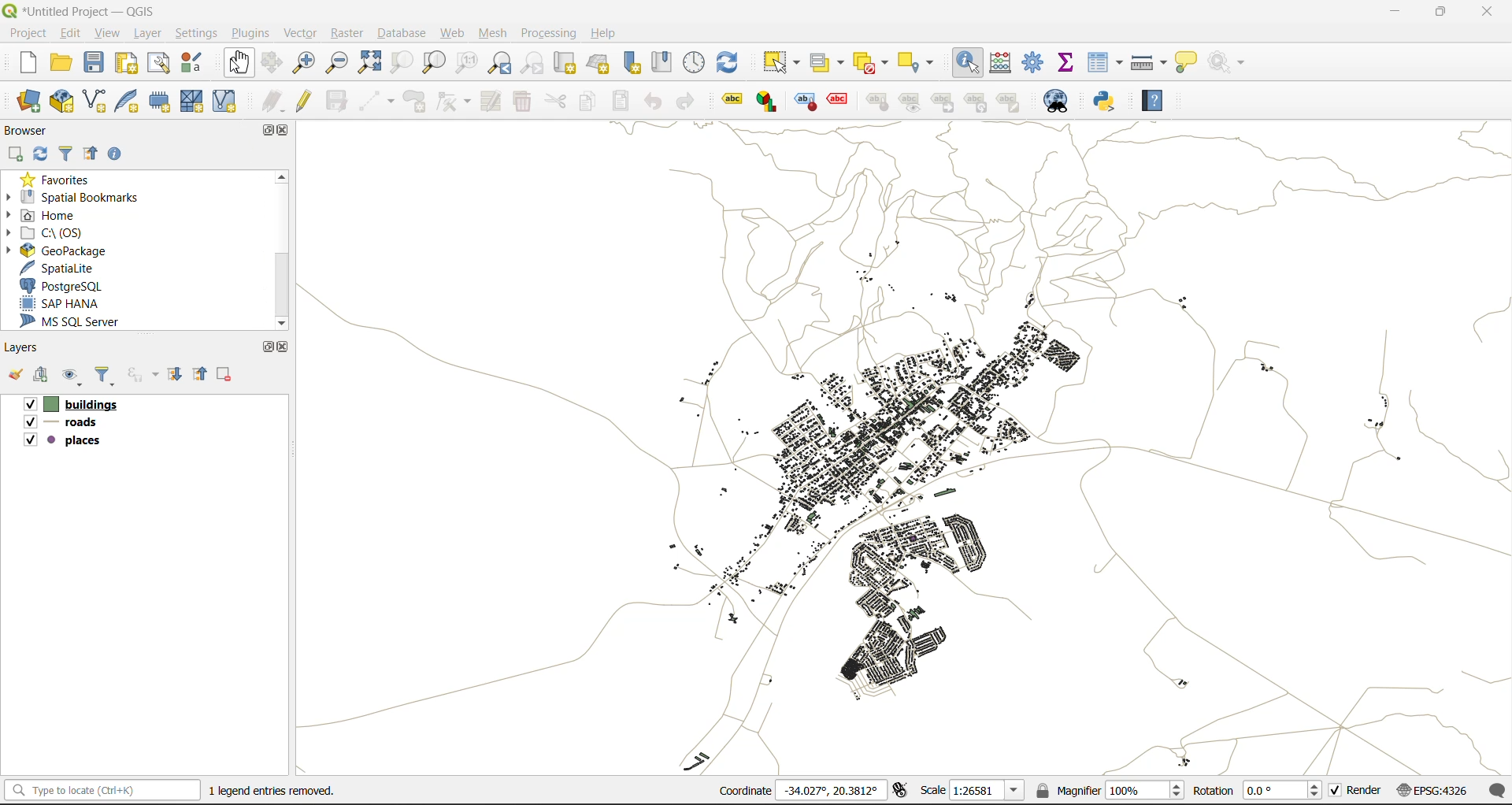 This screenshot has width=1512, height=805. What do you see at coordinates (873, 65) in the screenshot?
I see `deselect value` at bounding box center [873, 65].